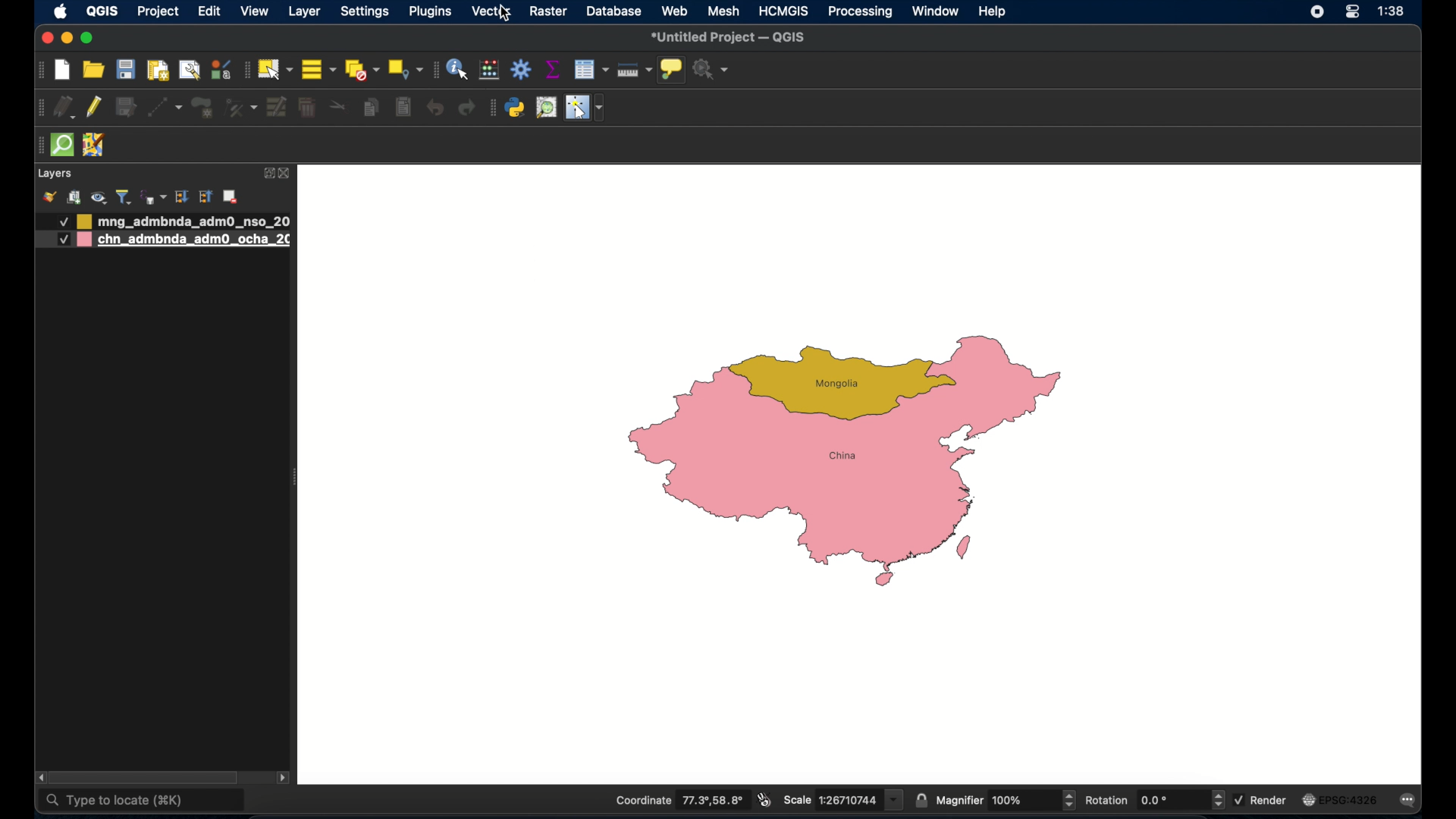 The image size is (1456, 819). Describe the element at coordinates (127, 107) in the screenshot. I see `save edits` at that location.